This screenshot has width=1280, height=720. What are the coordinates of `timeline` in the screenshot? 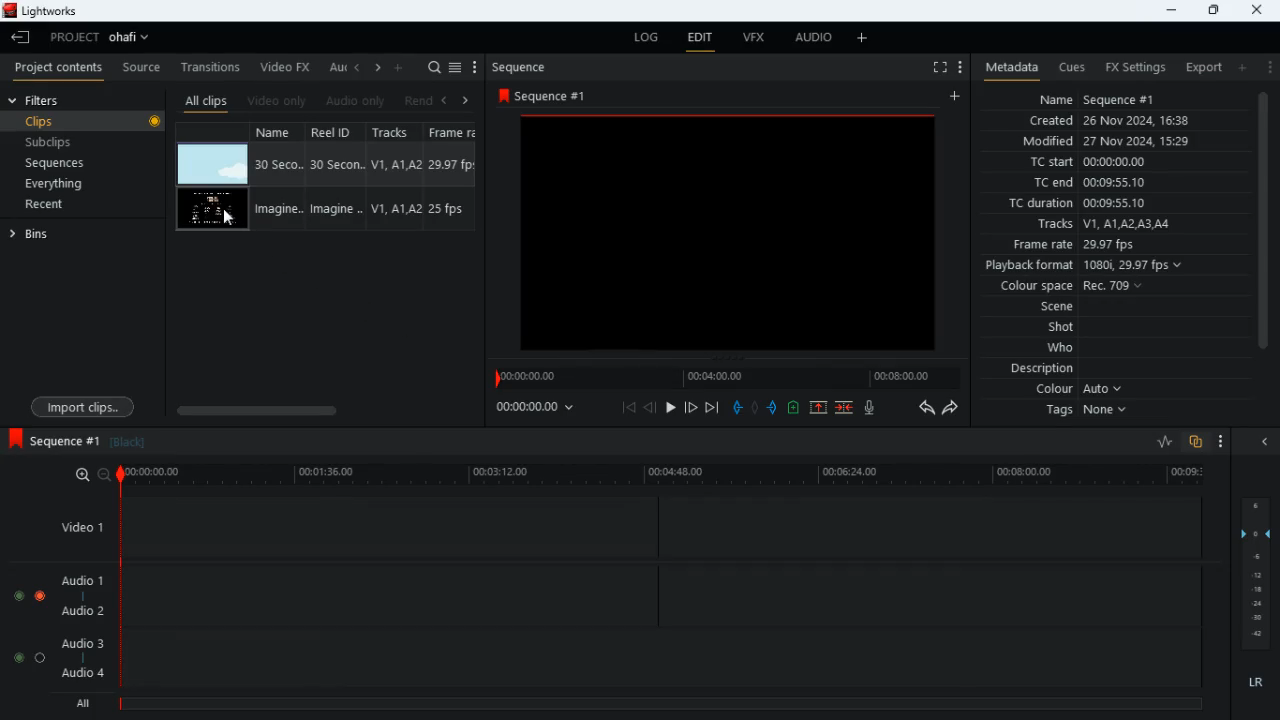 It's located at (724, 377).